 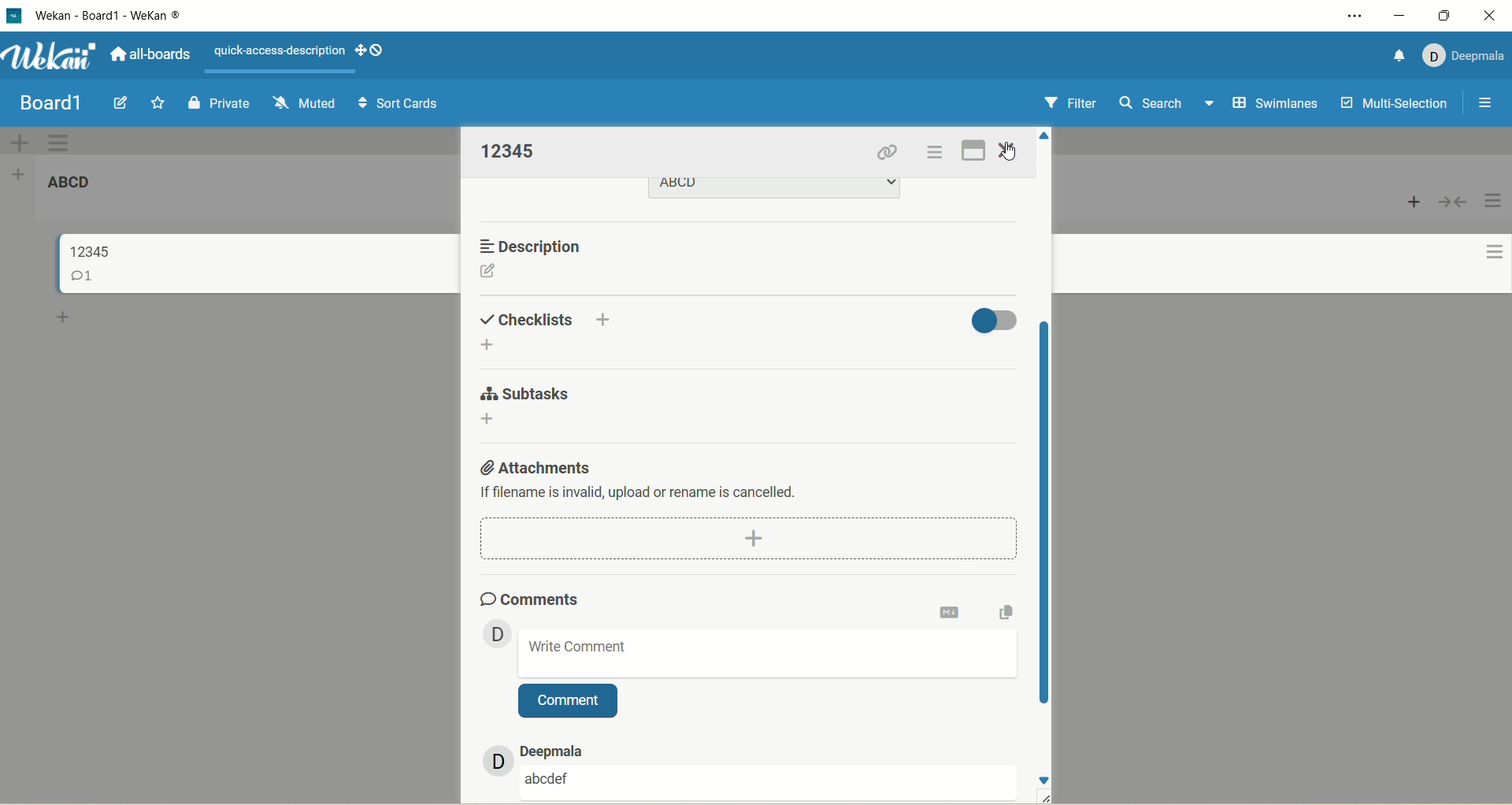 What do you see at coordinates (1277, 105) in the screenshot?
I see `swimlanes` at bounding box center [1277, 105].